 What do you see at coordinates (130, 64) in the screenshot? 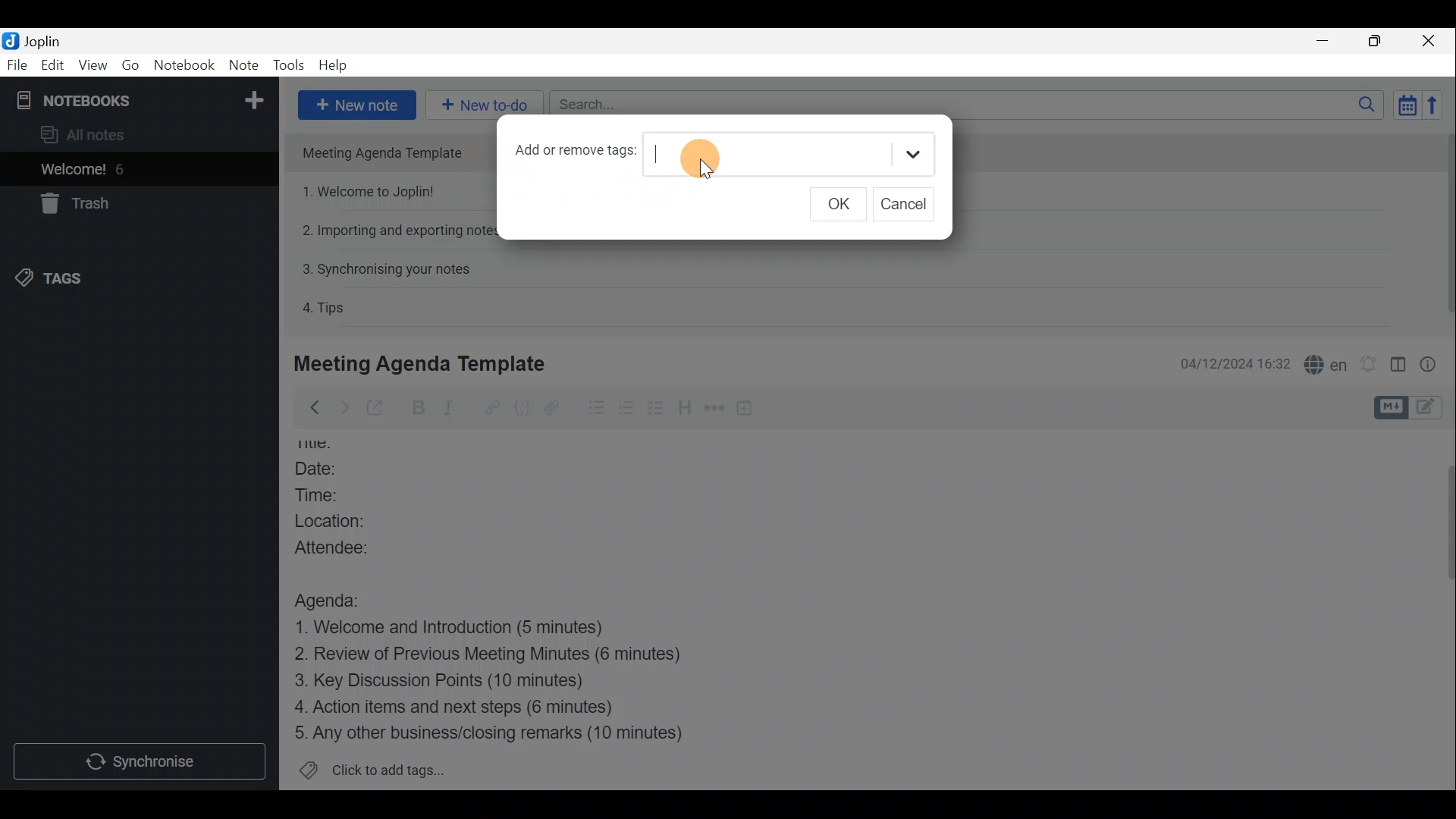
I see `Go` at bounding box center [130, 64].